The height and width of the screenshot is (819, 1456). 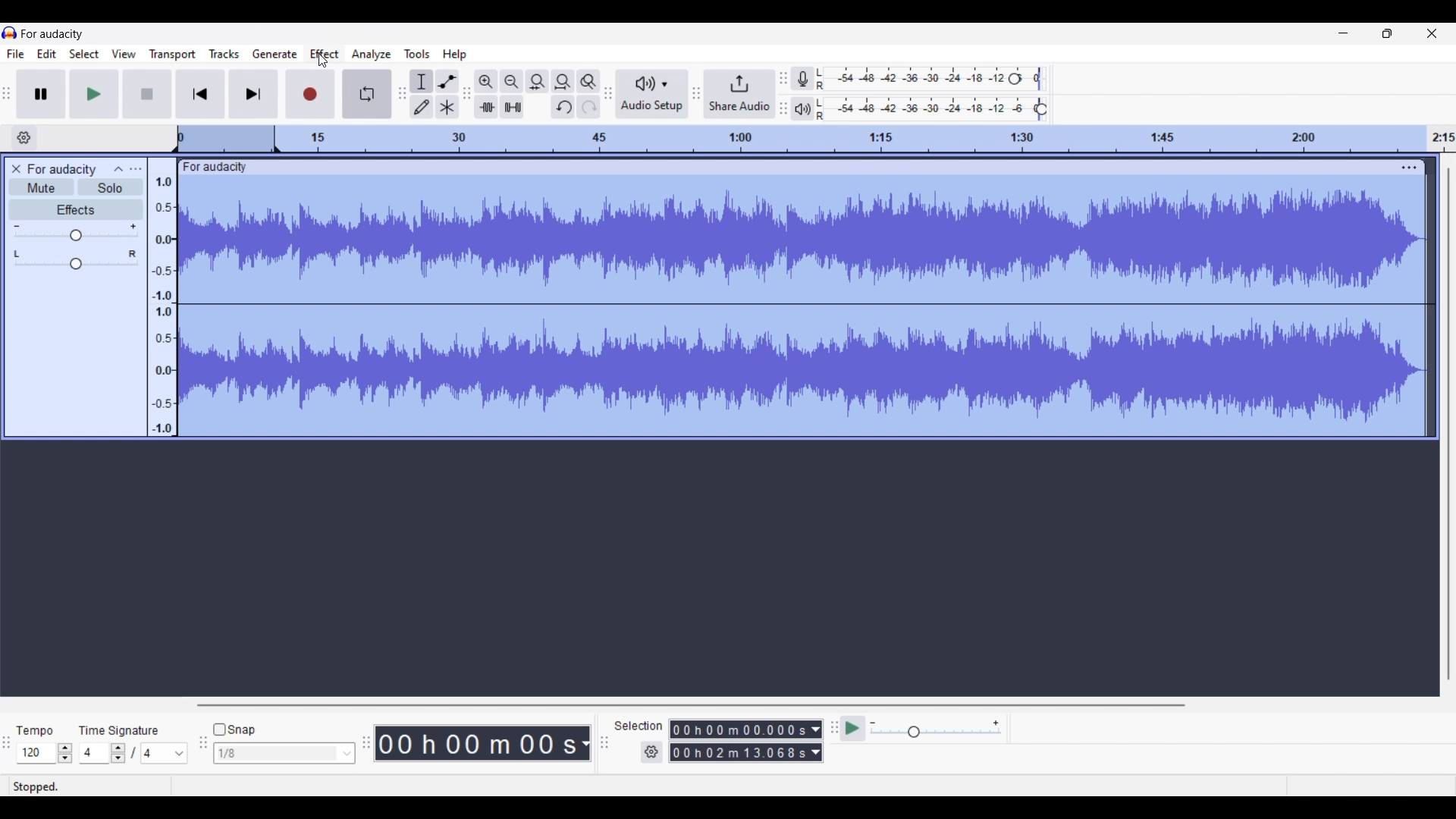 I want to click on Edit menu, so click(x=47, y=55).